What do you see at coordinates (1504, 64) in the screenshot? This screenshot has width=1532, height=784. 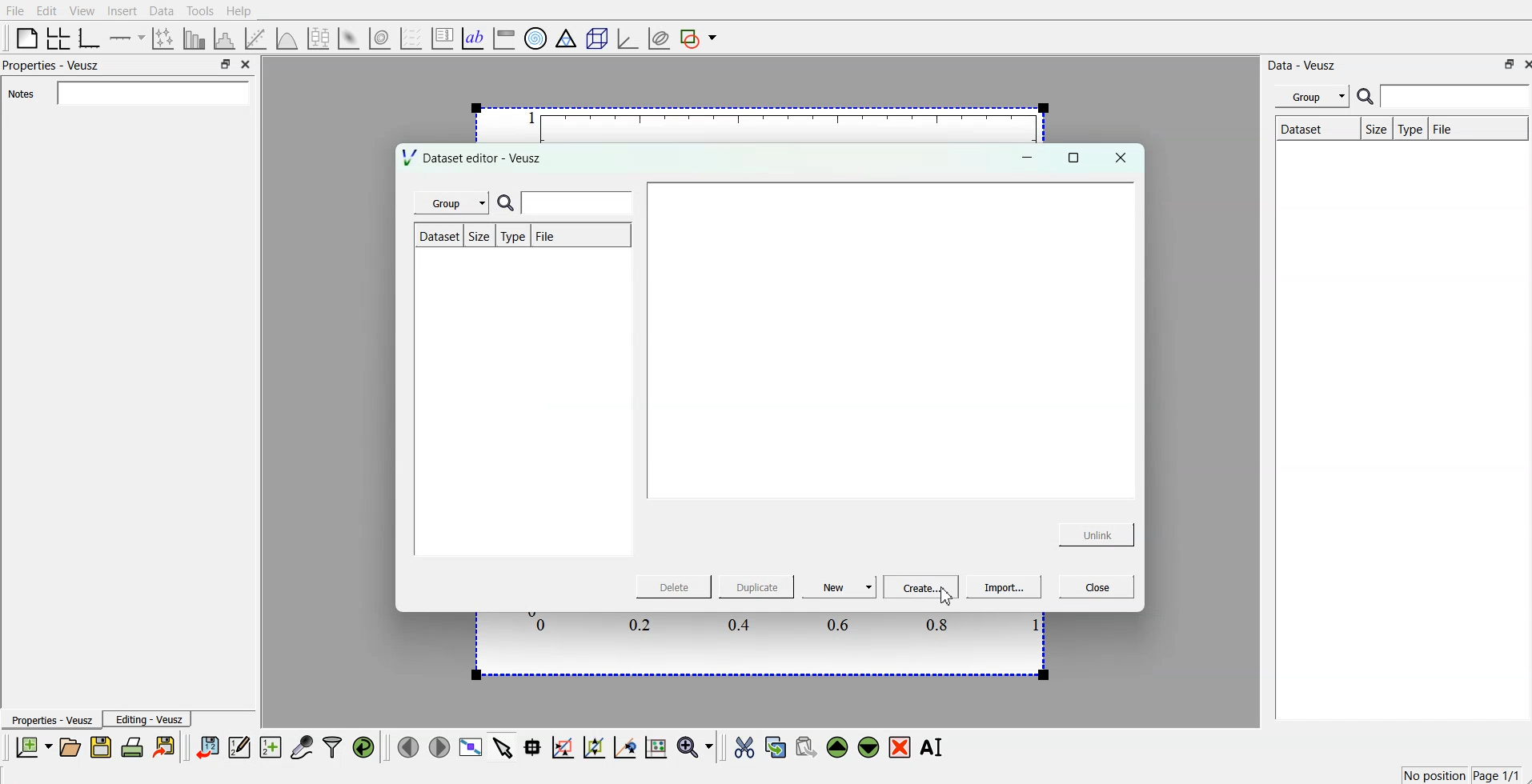 I see `minimise` at bounding box center [1504, 64].